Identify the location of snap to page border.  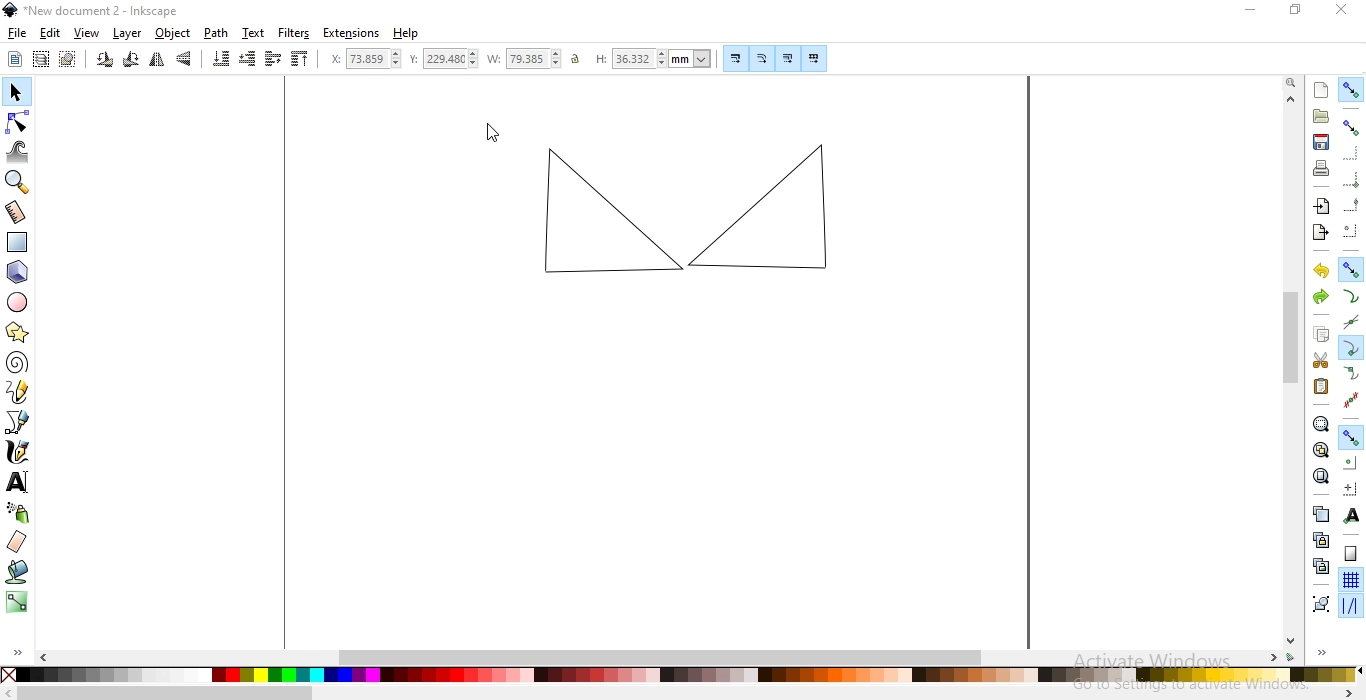
(1350, 554).